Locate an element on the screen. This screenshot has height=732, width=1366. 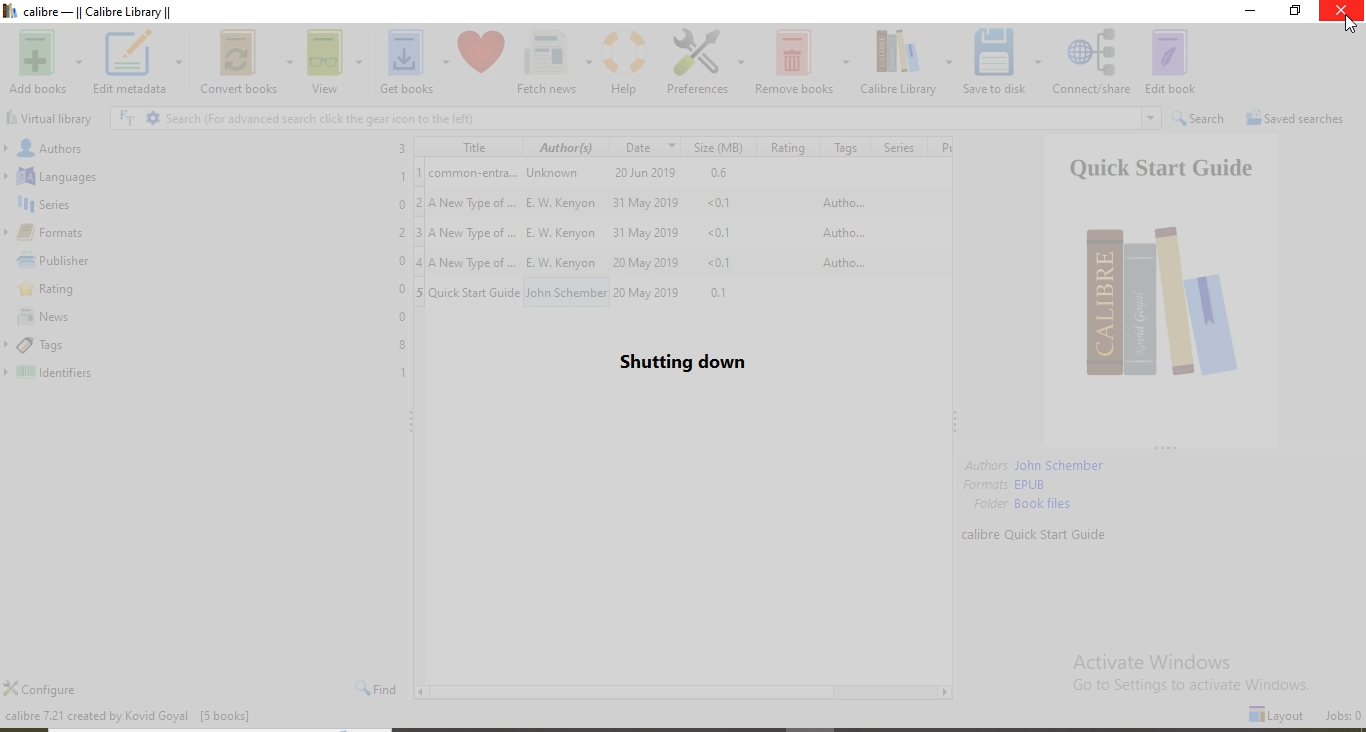
calibre -|| Calibre Library || is located at coordinates (106, 11).